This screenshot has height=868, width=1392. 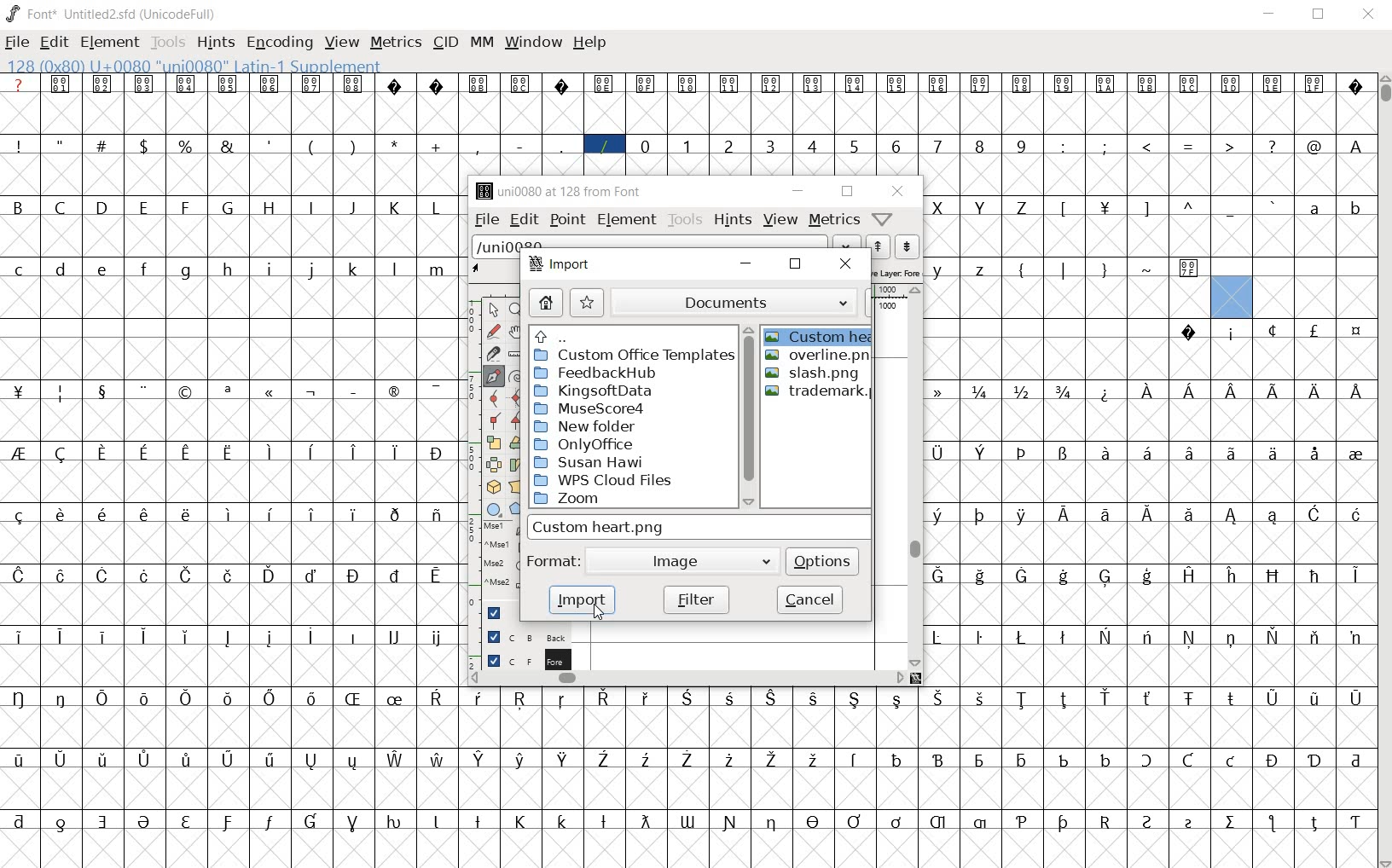 I want to click on glyph, so click(x=143, y=822).